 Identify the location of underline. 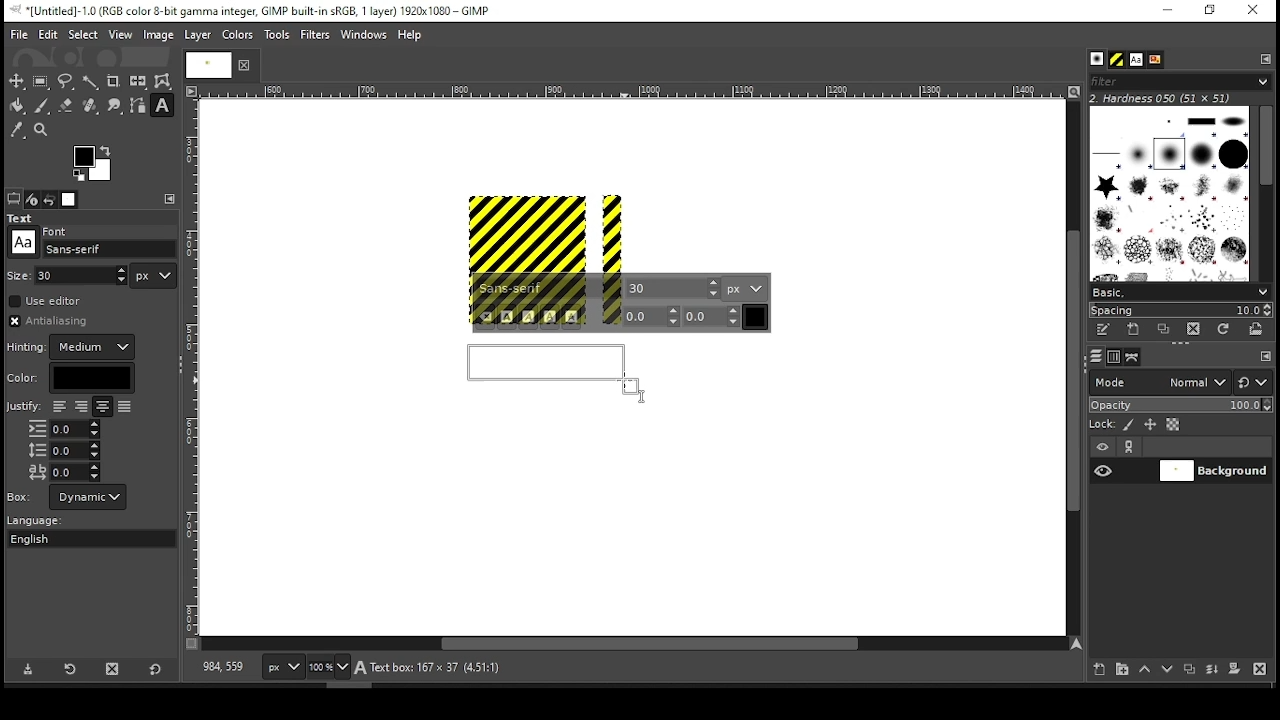
(550, 317).